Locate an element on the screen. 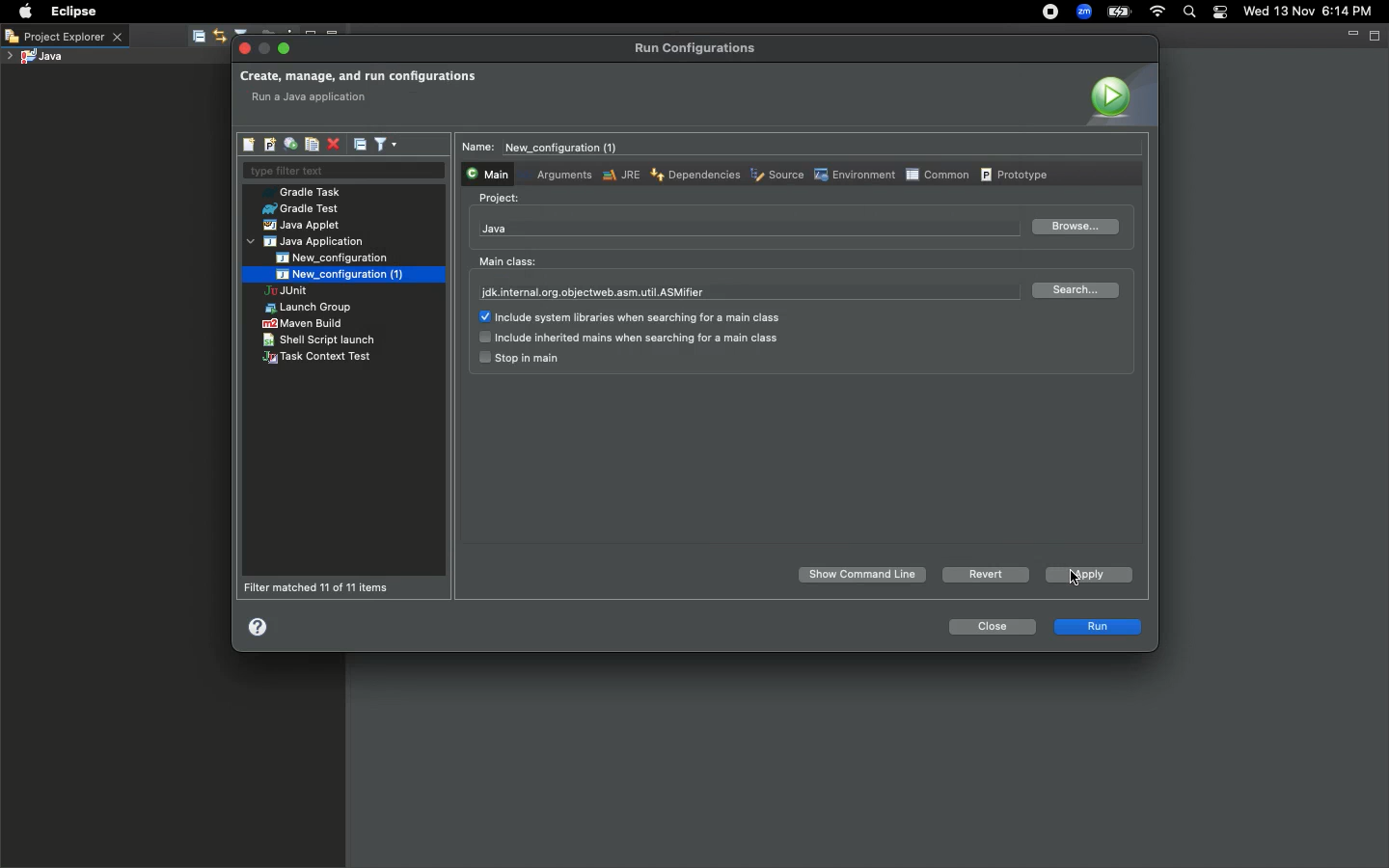 Image resolution: width=1389 pixels, height=868 pixels. Run configurations is located at coordinates (698, 48).